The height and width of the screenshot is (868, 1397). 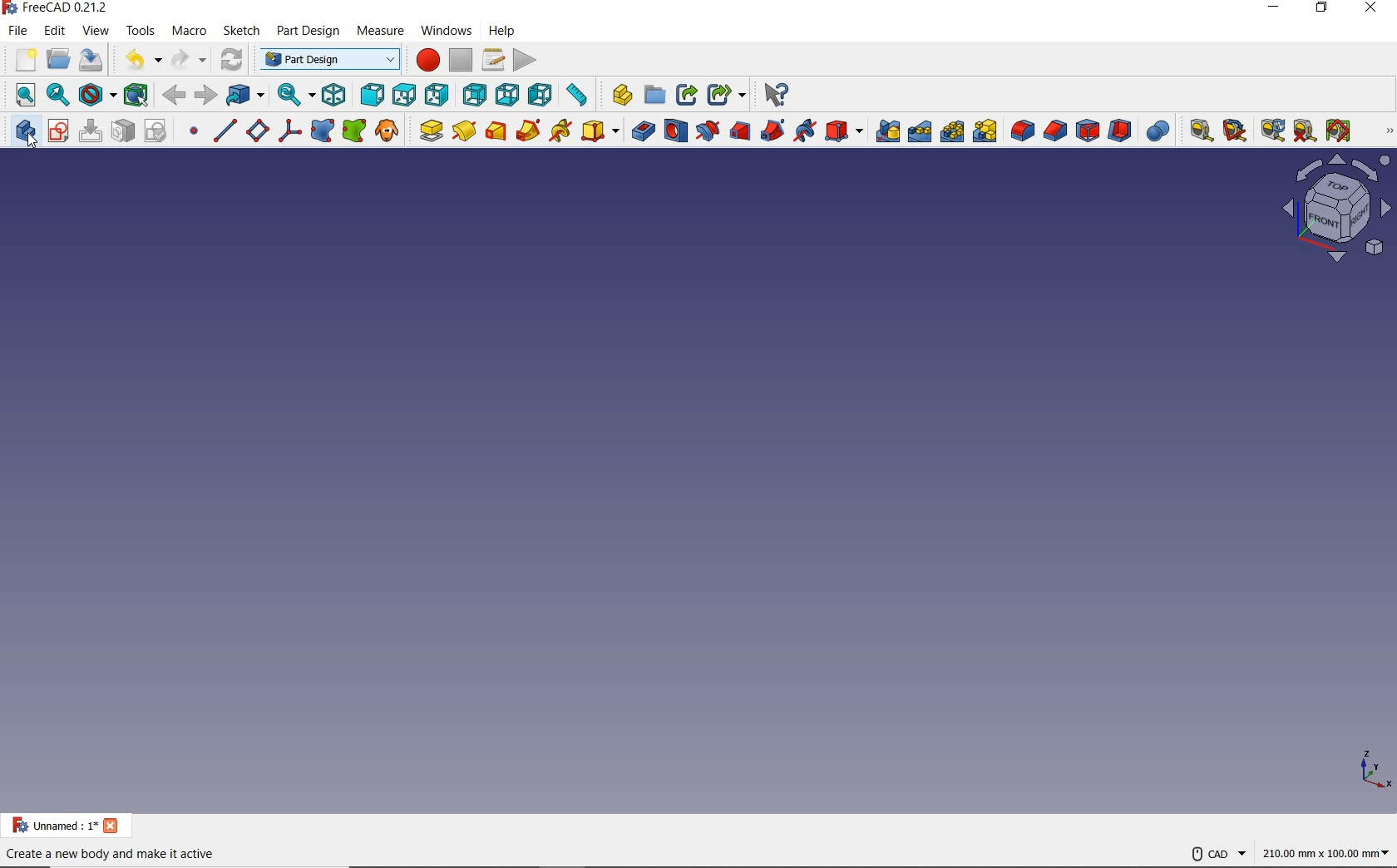 I want to click on Part design, so click(x=306, y=33).